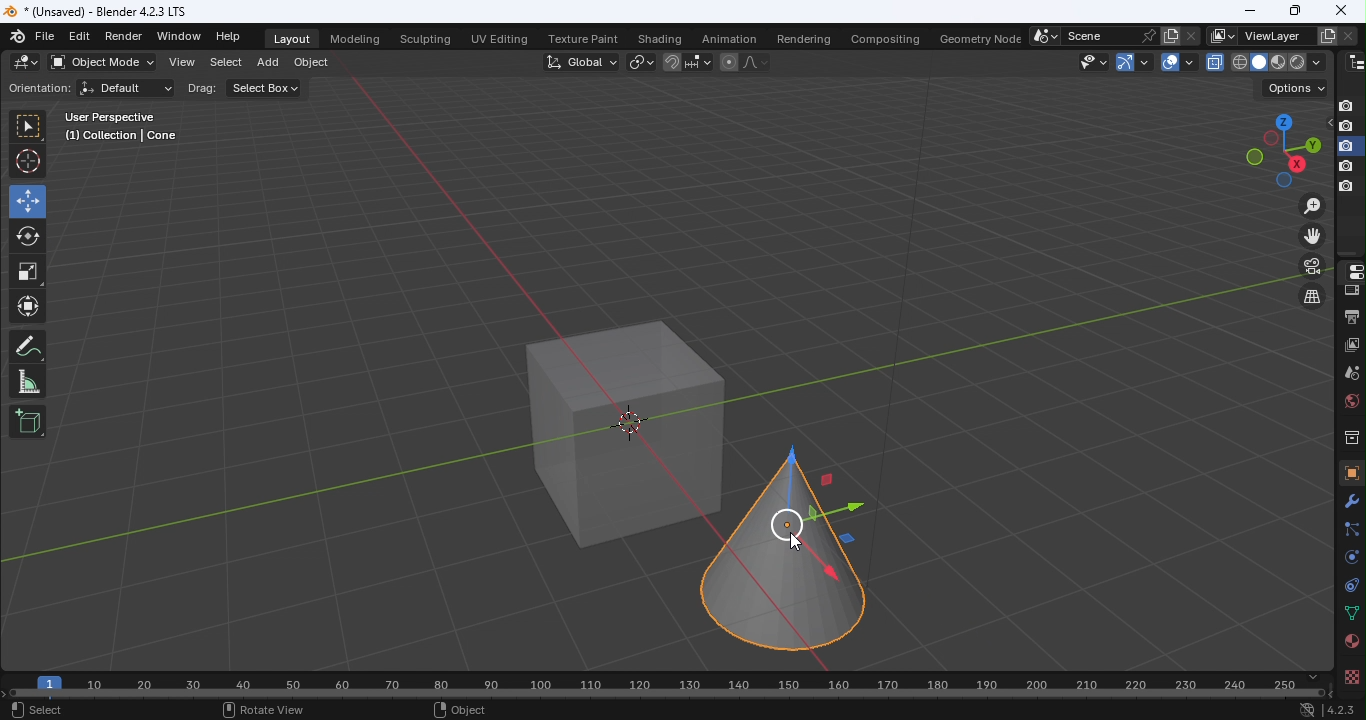  I want to click on Layout, so click(293, 39).